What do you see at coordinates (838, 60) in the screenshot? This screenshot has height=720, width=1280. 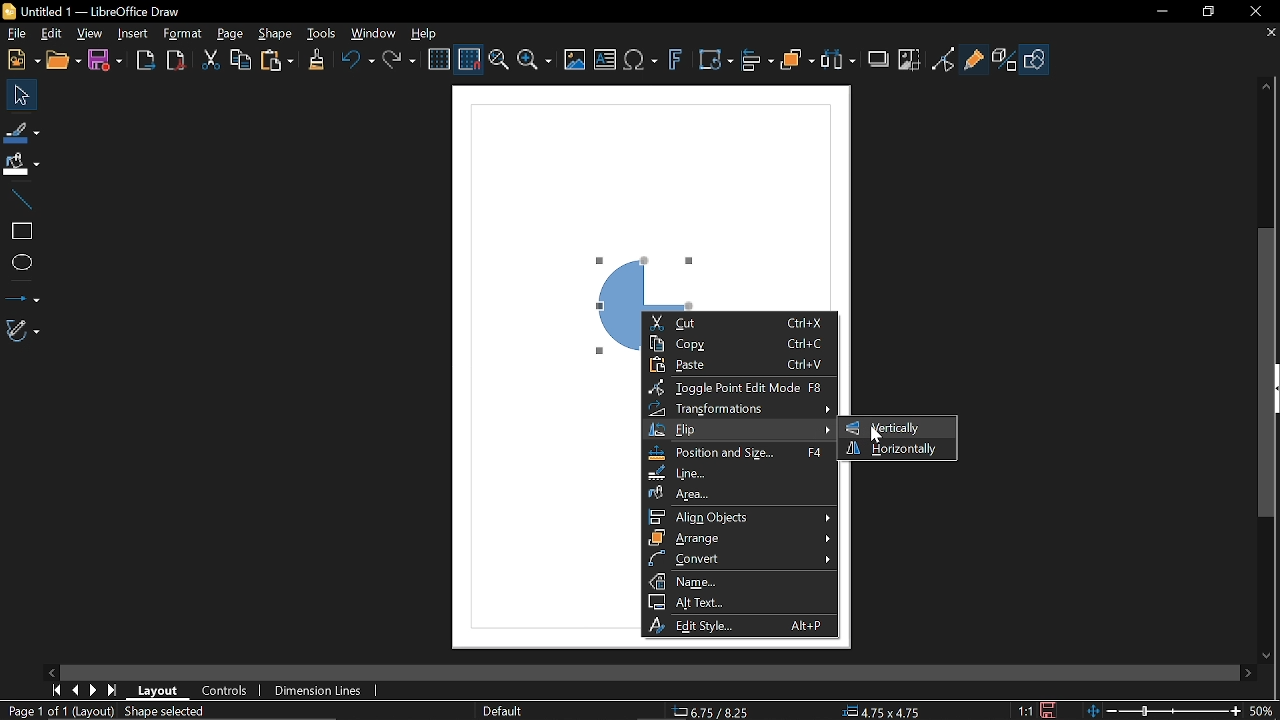 I see `Select at least three object to distribute` at bounding box center [838, 60].